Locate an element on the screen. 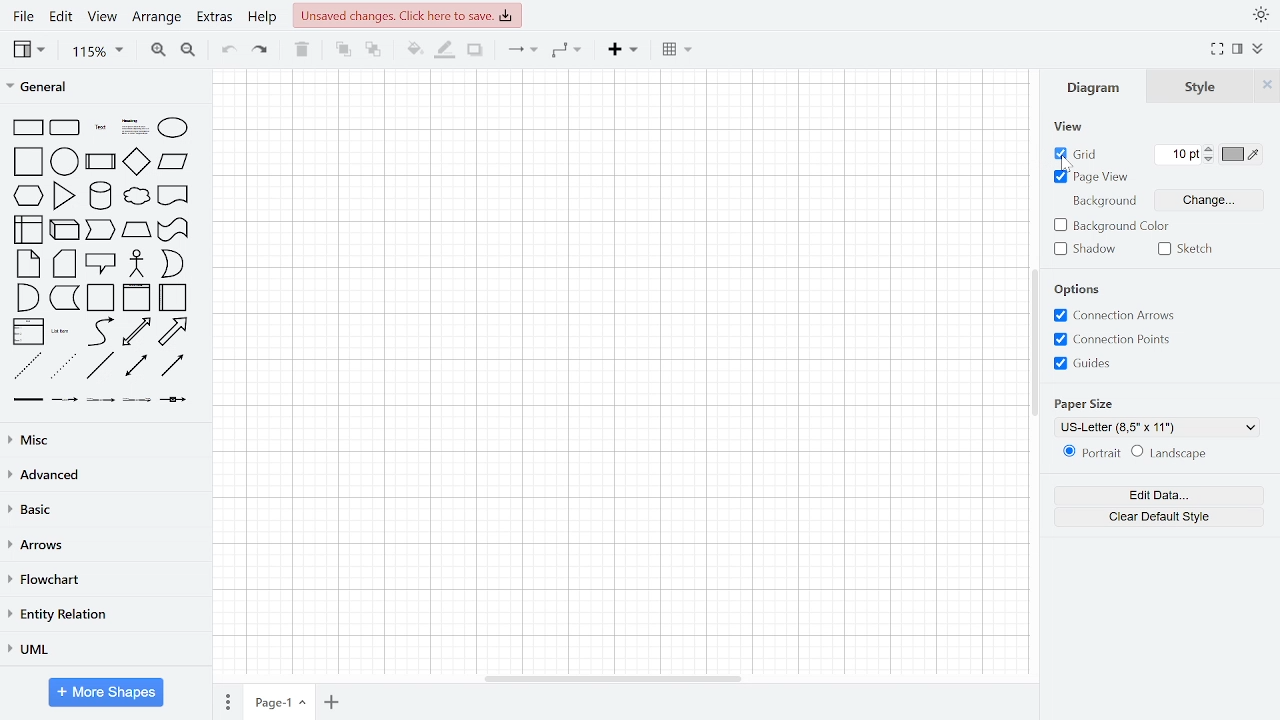 This screenshot has height=720, width=1280. horizontal scrollbar is located at coordinates (610, 676).